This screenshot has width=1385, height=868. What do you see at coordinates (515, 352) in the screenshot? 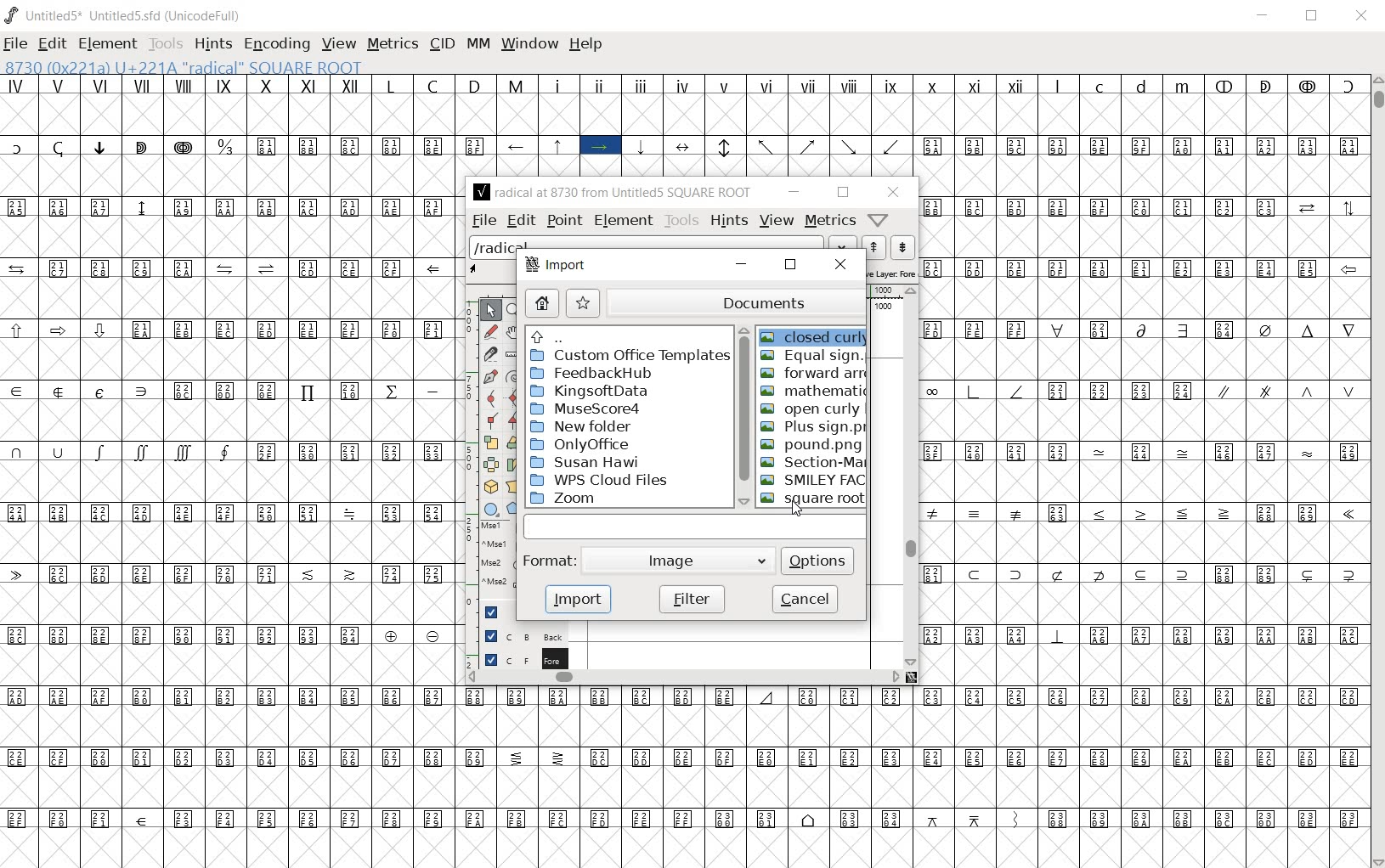
I see `measure a distance, angle between points` at bounding box center [515, 352].